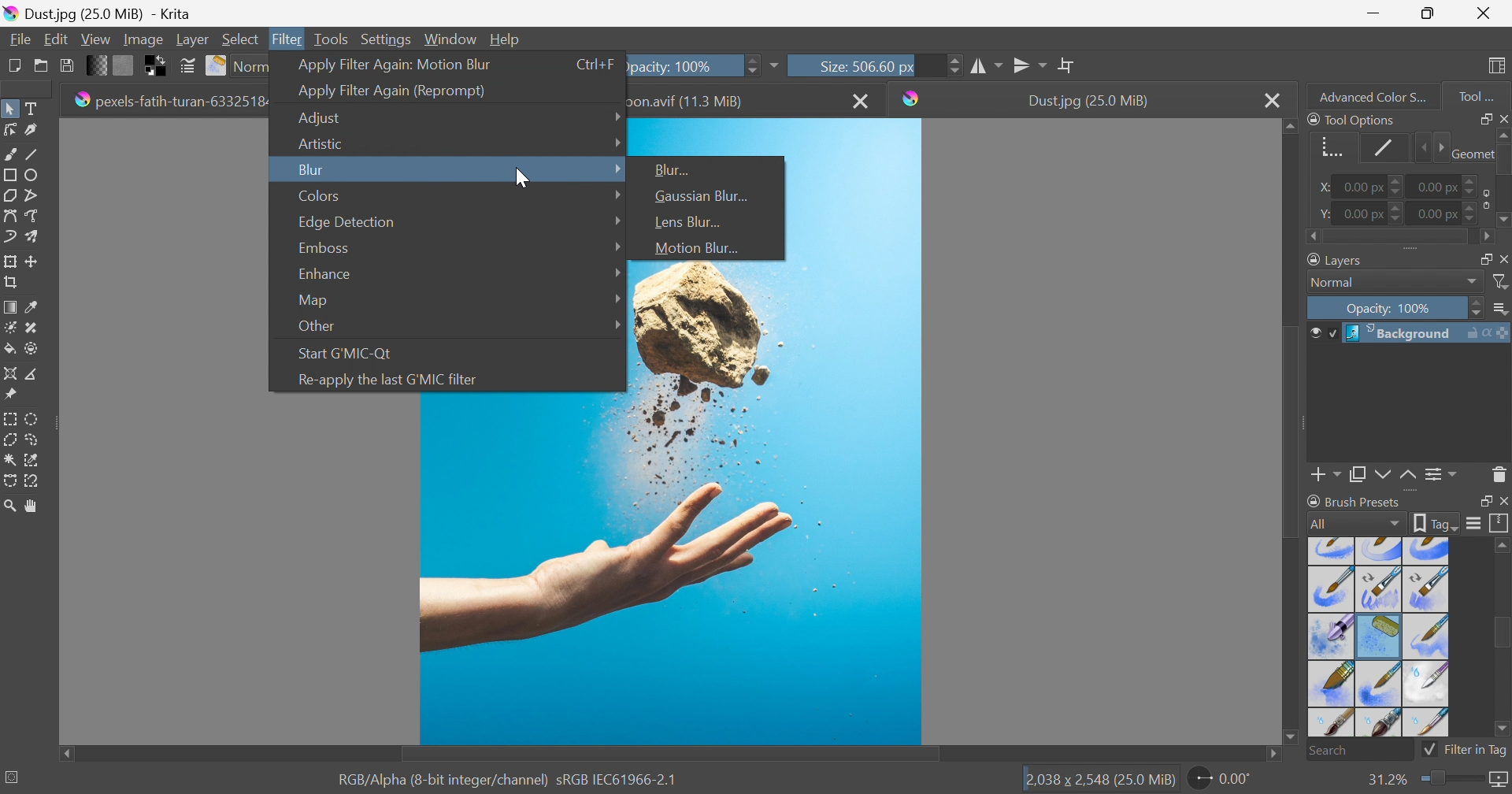  What do you see at coordinates (1426, 333) in the screenshot?
I see `Background Layer` at bounding box center [1426, 333].